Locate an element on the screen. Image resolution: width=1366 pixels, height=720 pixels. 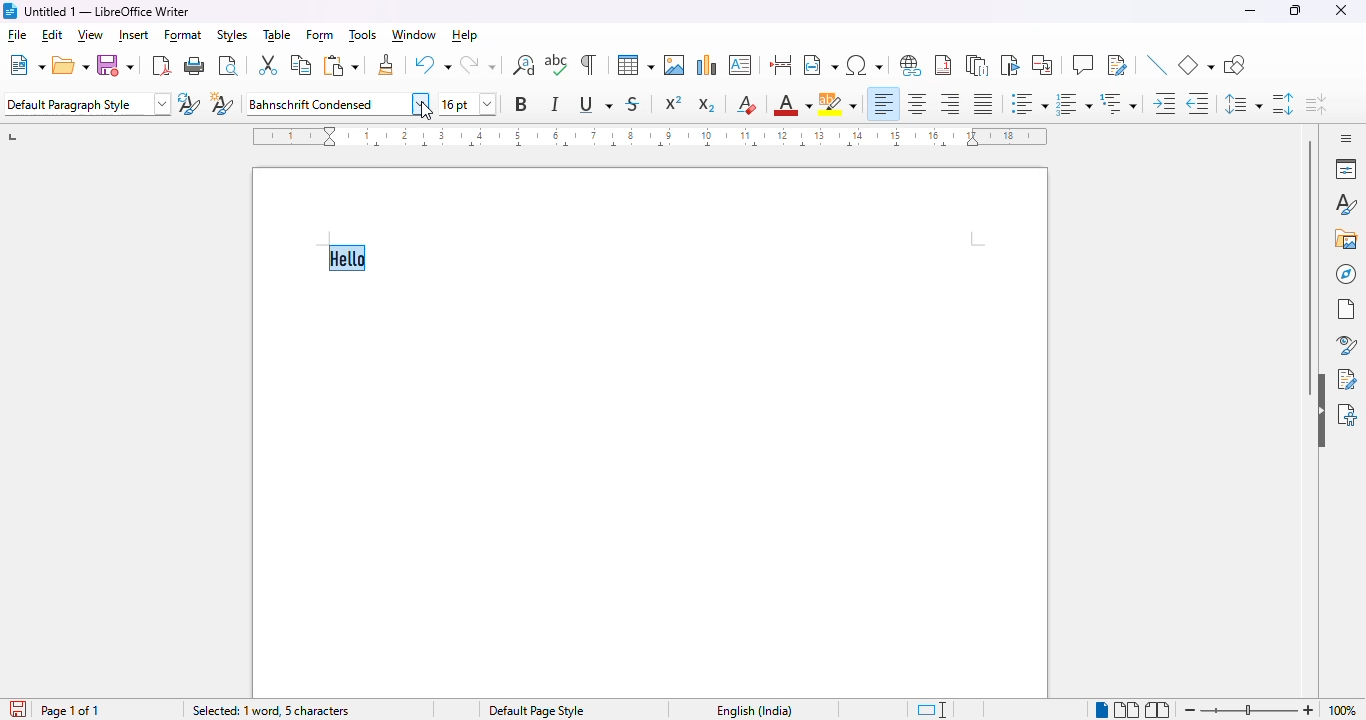
export directly as PDF is located at coordinates (162, 65).